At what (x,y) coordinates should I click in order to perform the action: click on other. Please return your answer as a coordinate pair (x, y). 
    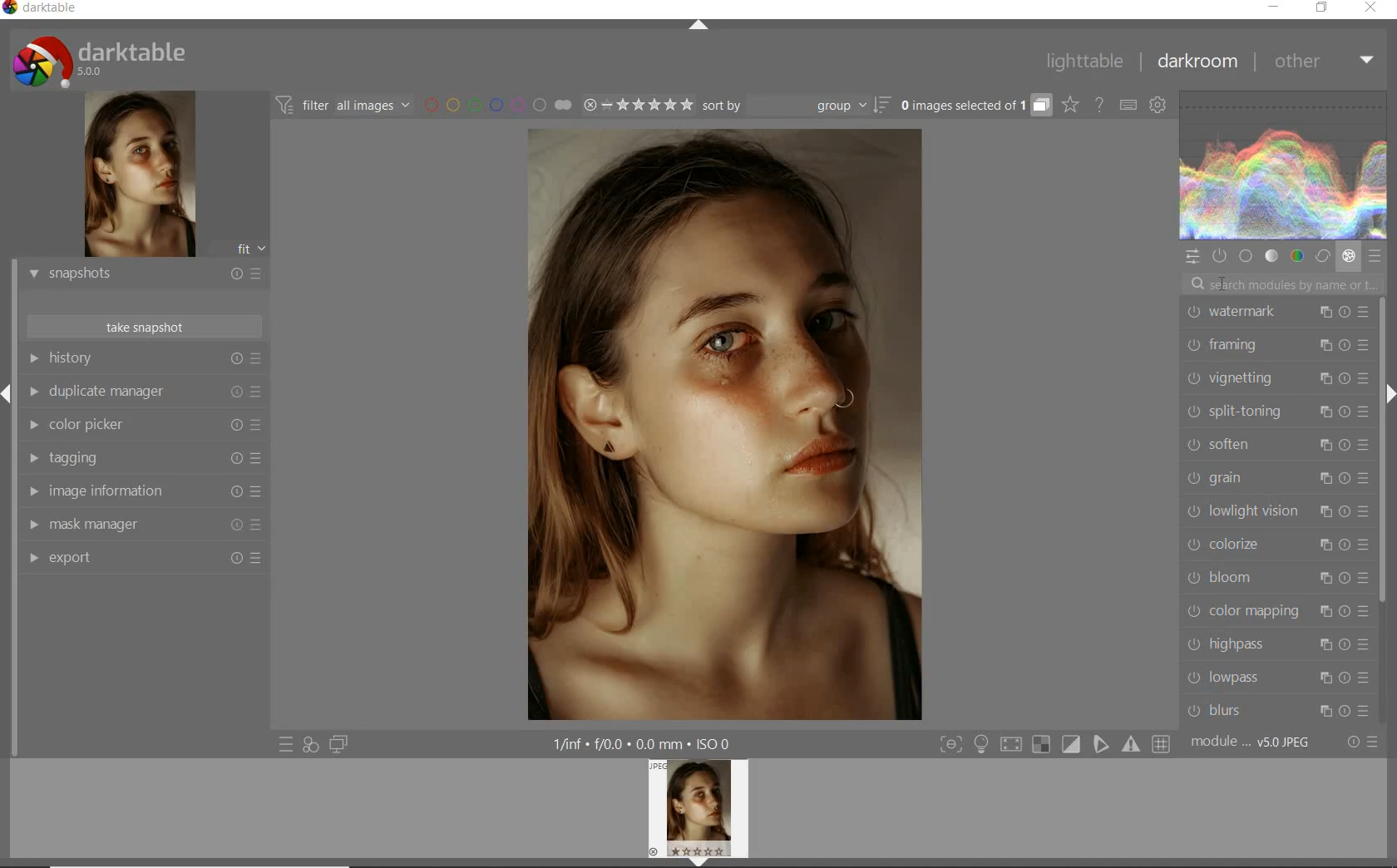
    Looking at the image, I should click on (1320, 62).